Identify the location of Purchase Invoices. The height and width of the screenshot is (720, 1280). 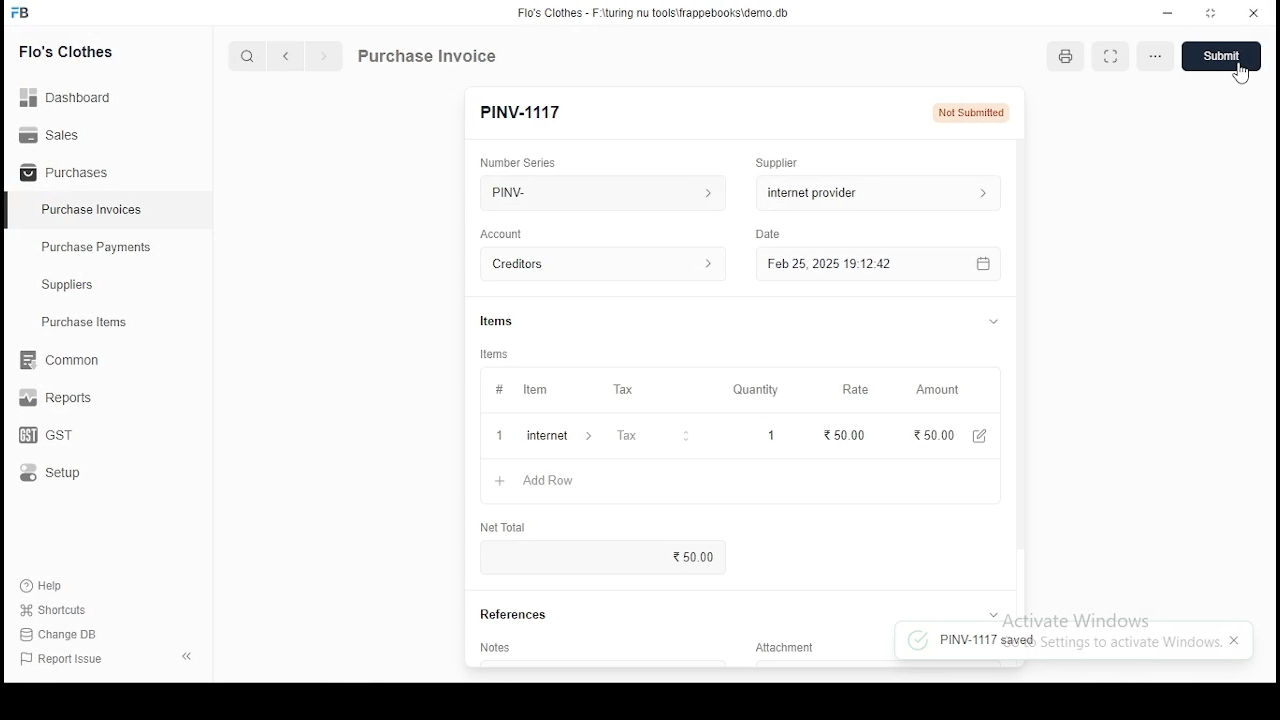
(95, 210).